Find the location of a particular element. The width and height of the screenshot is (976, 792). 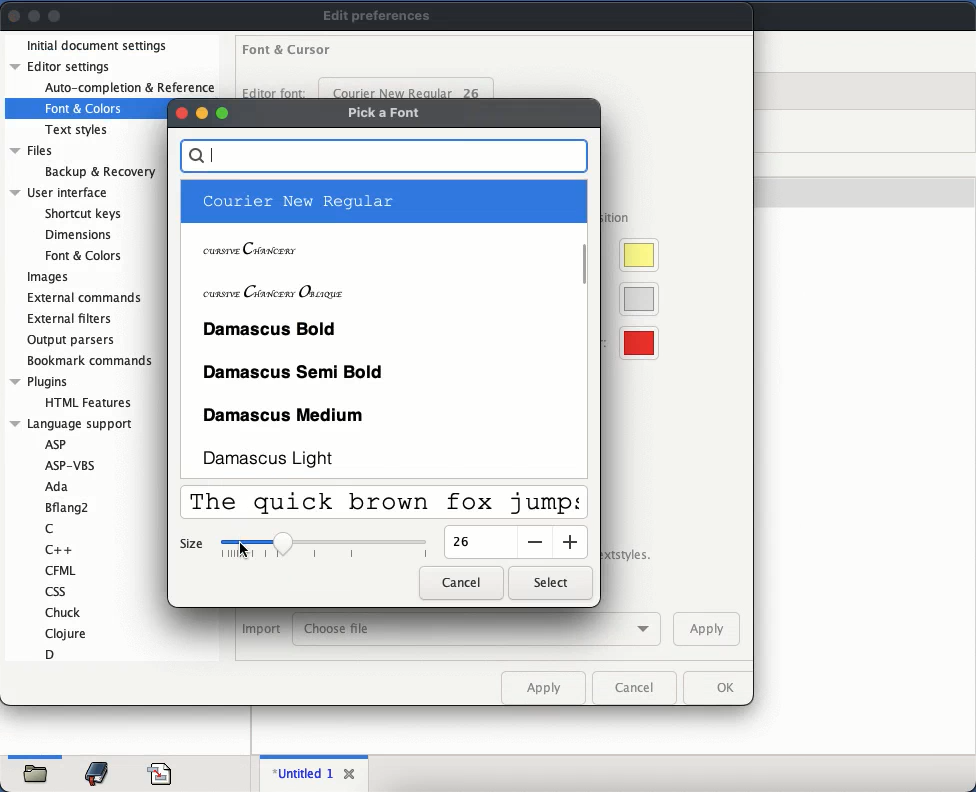

minimize is located at coordinates (34, 17).